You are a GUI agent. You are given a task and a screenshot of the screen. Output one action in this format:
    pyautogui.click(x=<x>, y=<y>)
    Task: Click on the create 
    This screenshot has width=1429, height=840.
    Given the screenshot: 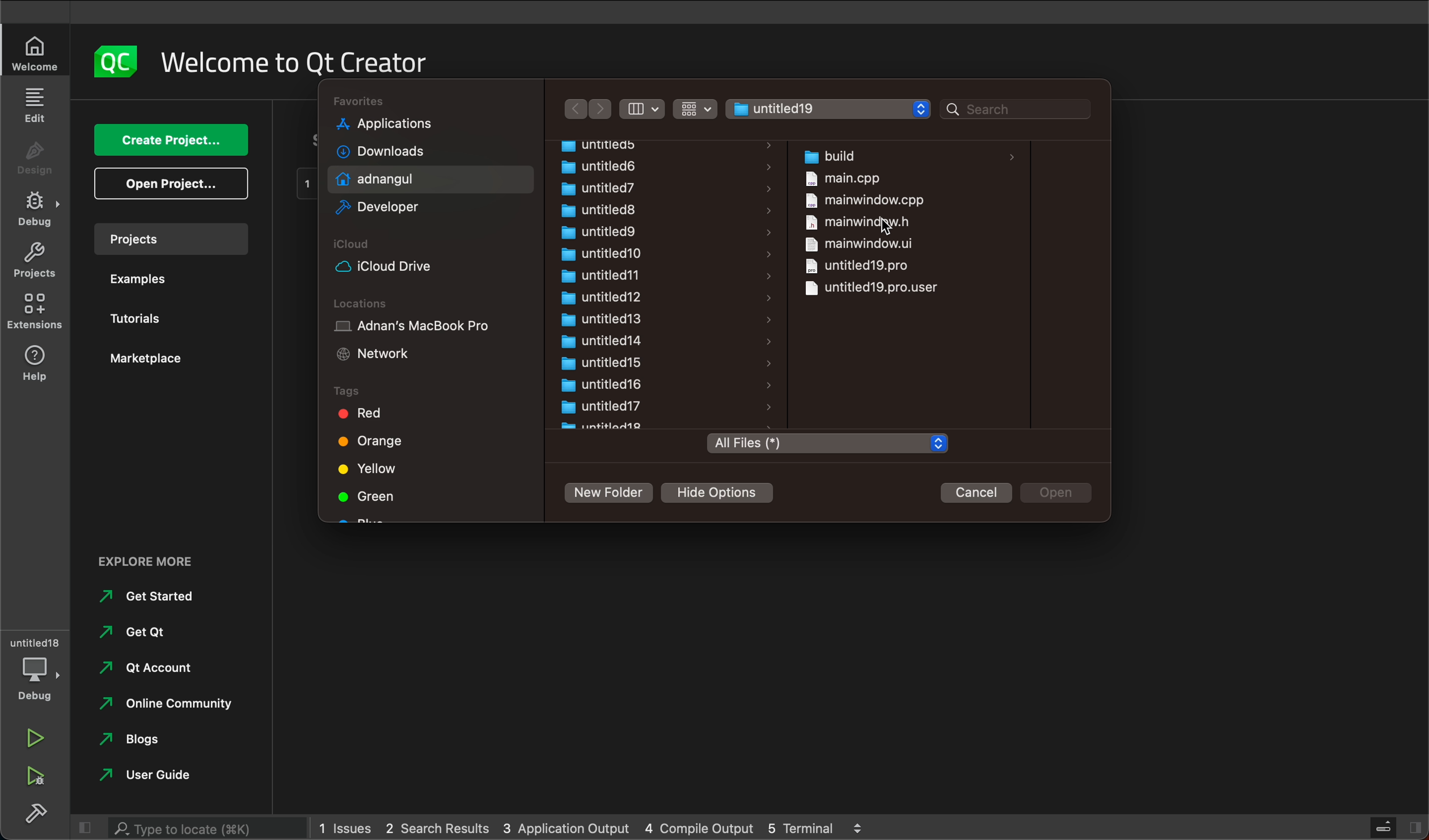 What is the action you would take?
    pyautogui.click(x=174, y=138)
    